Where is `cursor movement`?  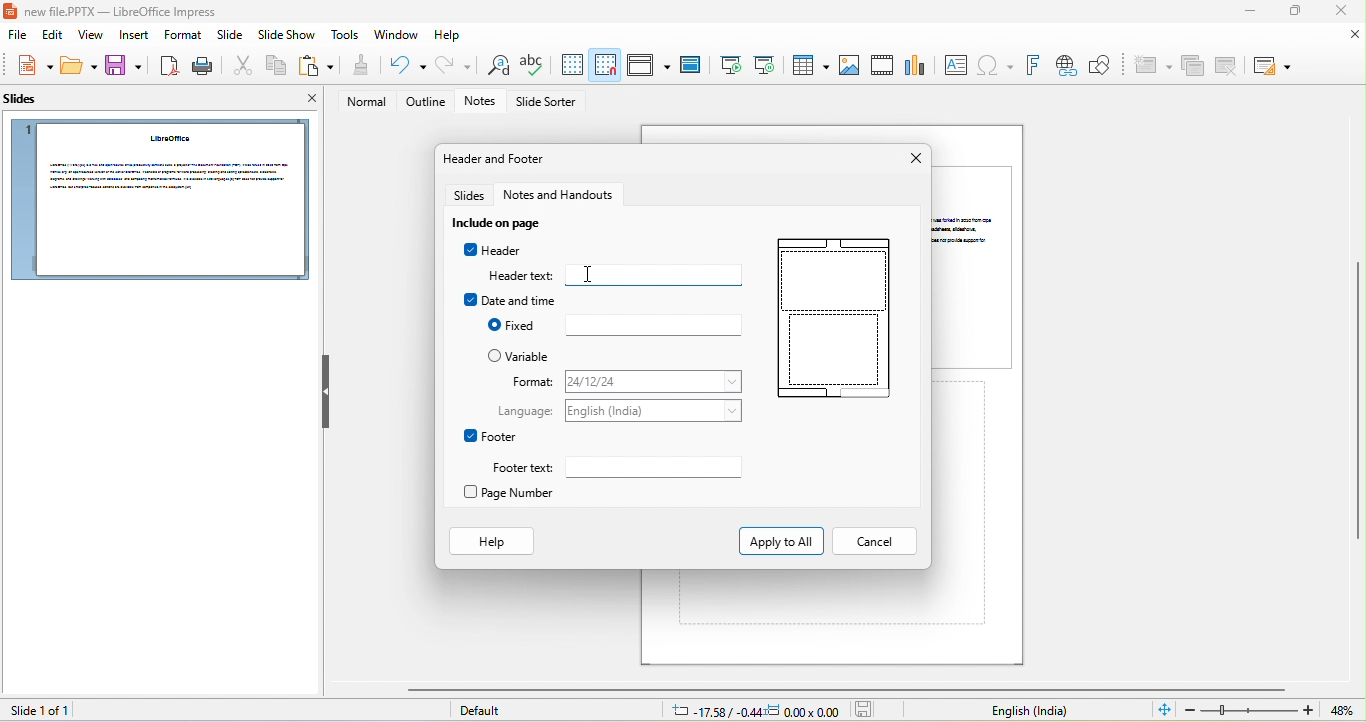 cursor movement is located at coordinates (588, 275).